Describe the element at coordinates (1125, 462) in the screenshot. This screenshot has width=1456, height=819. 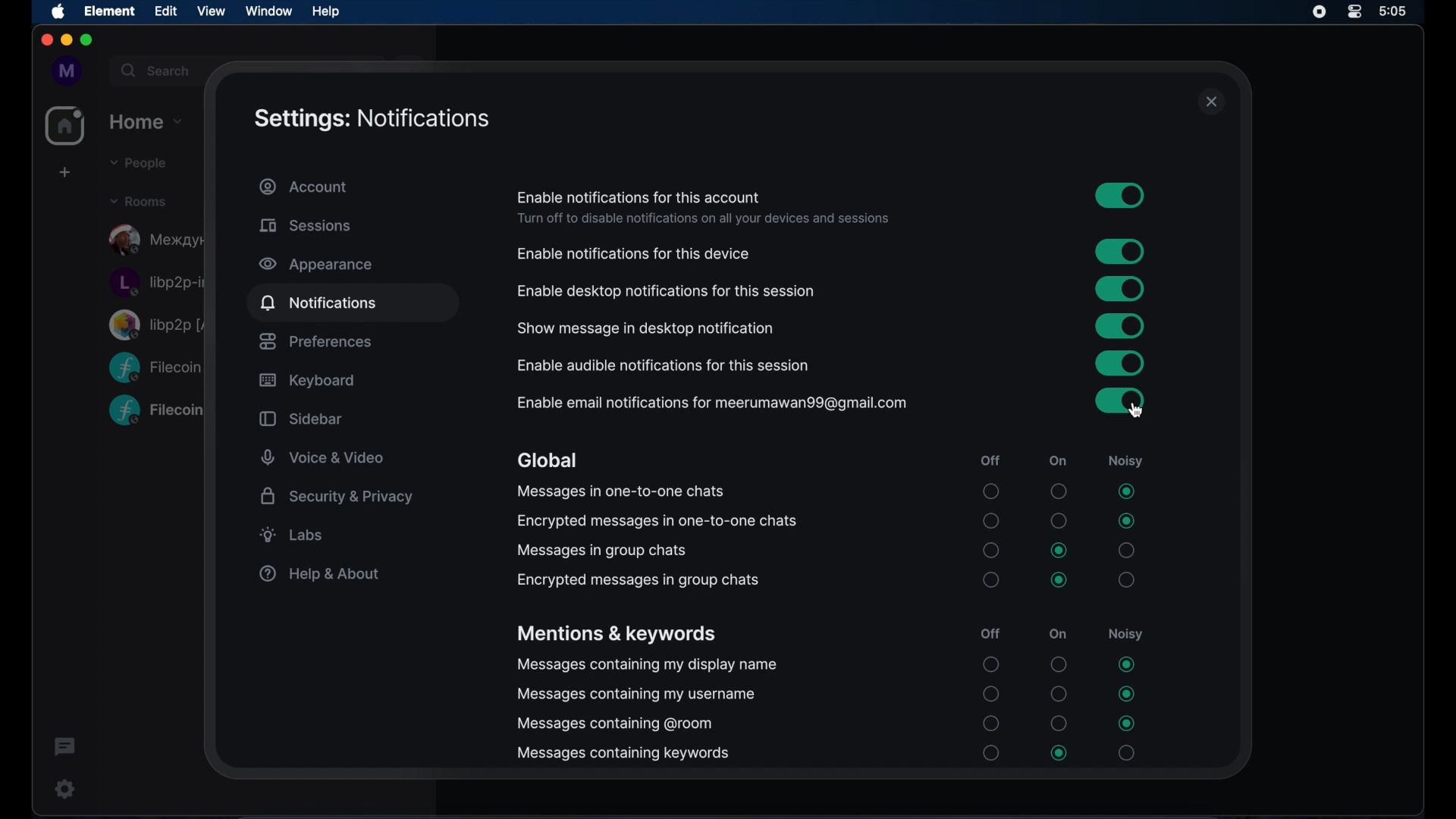
I see `noisy` at that location.